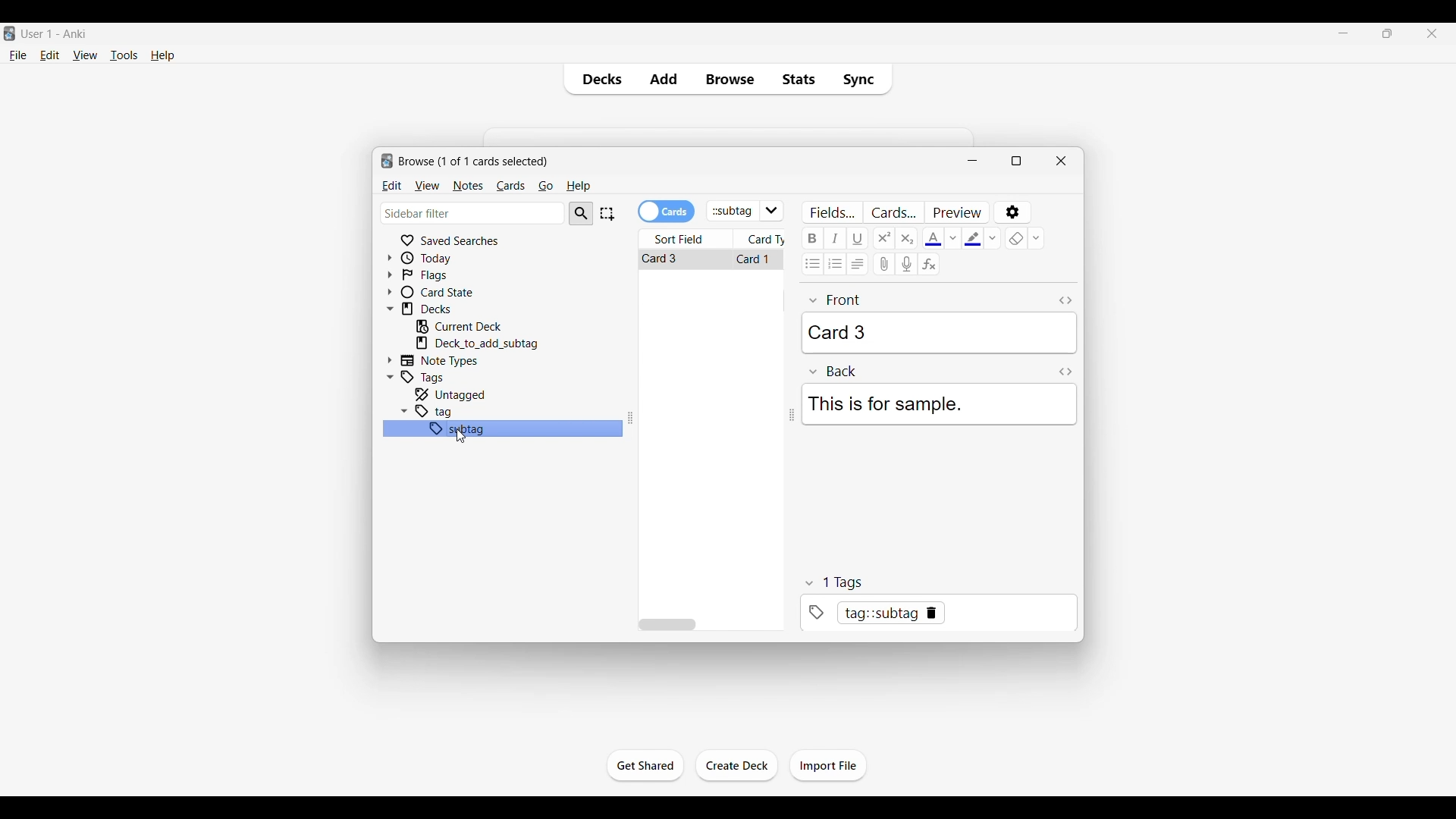 Image resolution: width=1456 pixels, height=819 pixels. Describe the element at coordinates (858, 238) in the screenshot. I see `Underline text` at that location.